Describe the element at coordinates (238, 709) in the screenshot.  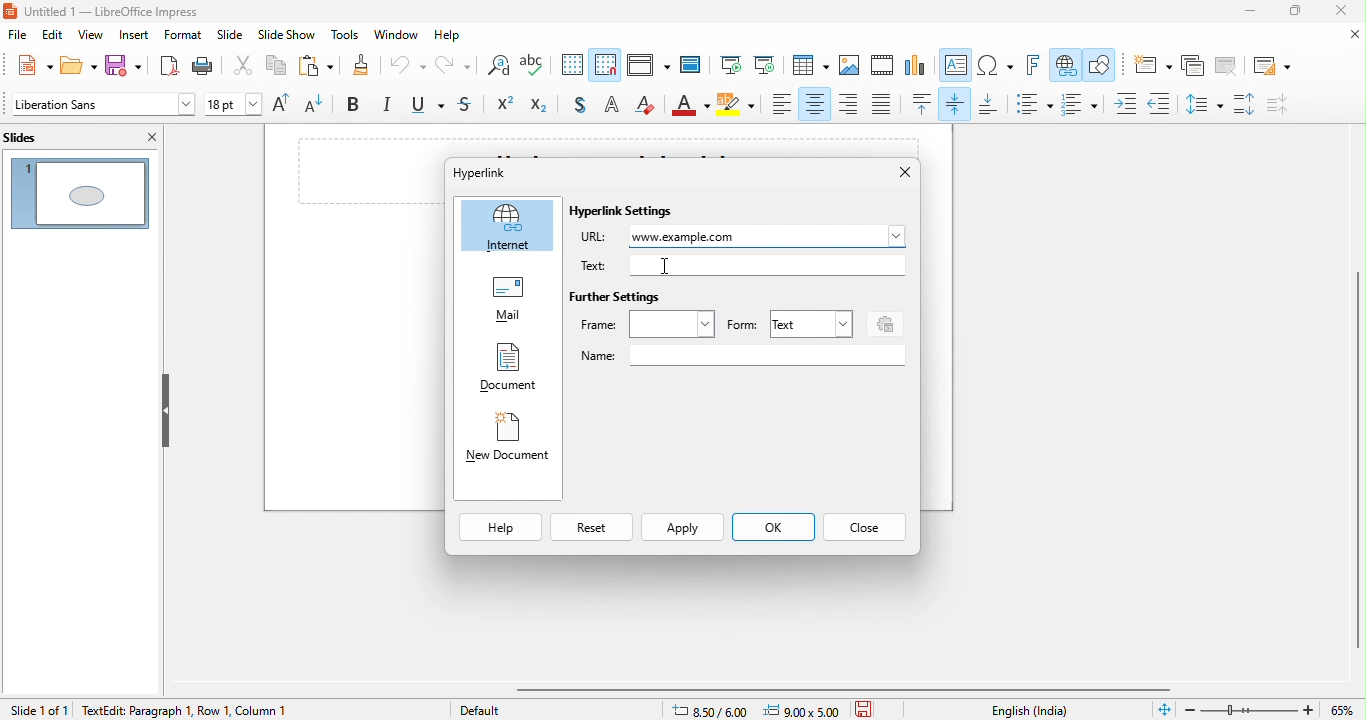
I see `text edit paragraph 1 row 1 column 1` at that location.